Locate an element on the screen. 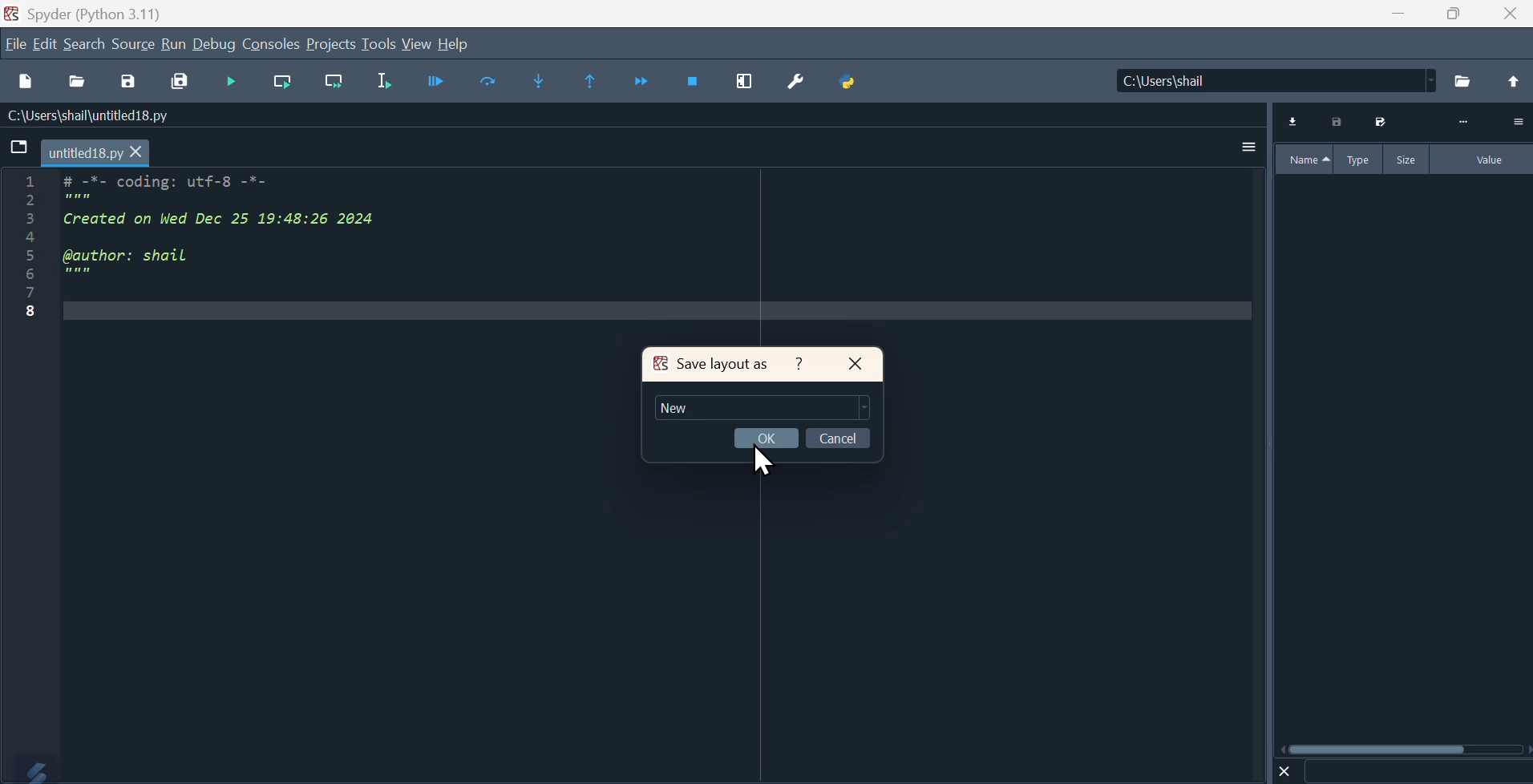  Name is located at coordinates (1304, 160).